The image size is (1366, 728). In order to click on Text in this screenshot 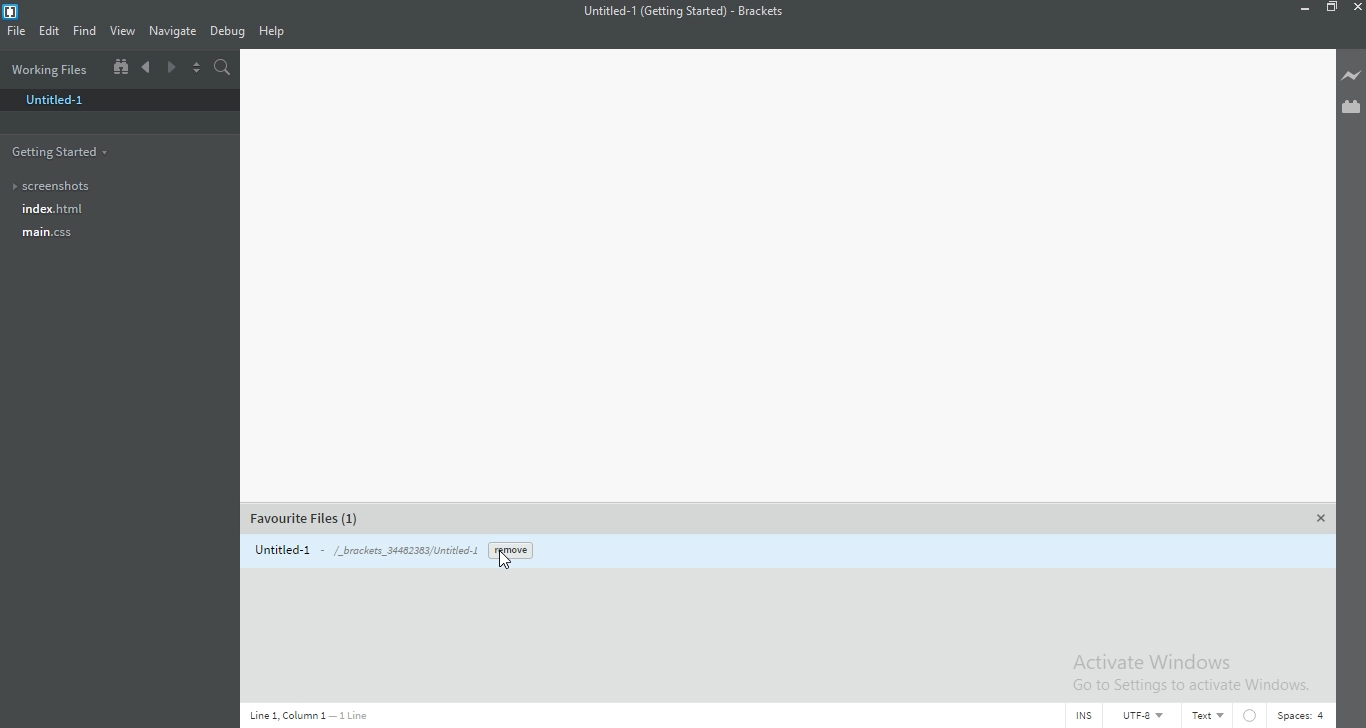, I will do `click(1210, 713)`.